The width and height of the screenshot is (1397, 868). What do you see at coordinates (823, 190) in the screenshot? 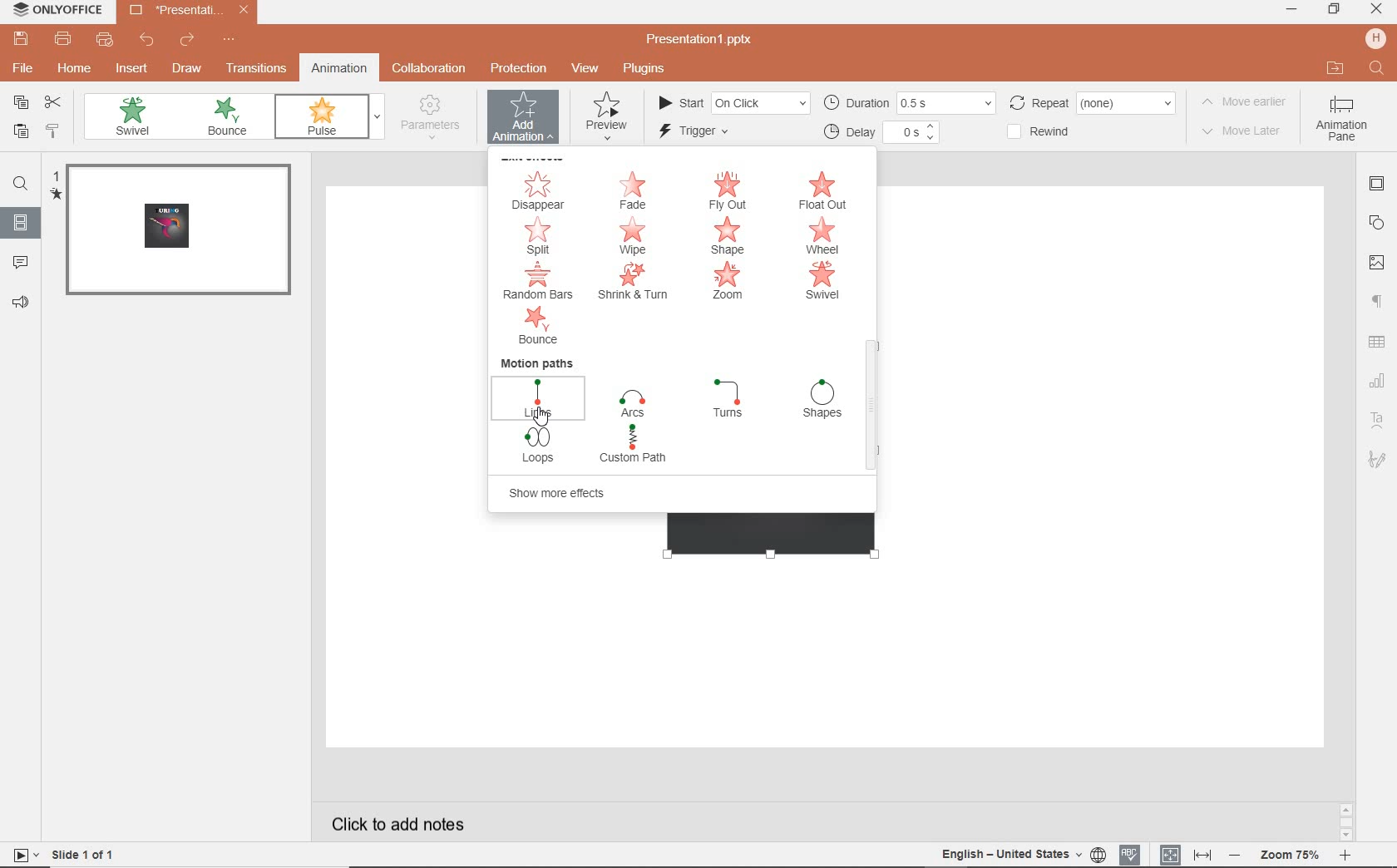
I see `float out` at bounding box center [823, 190].